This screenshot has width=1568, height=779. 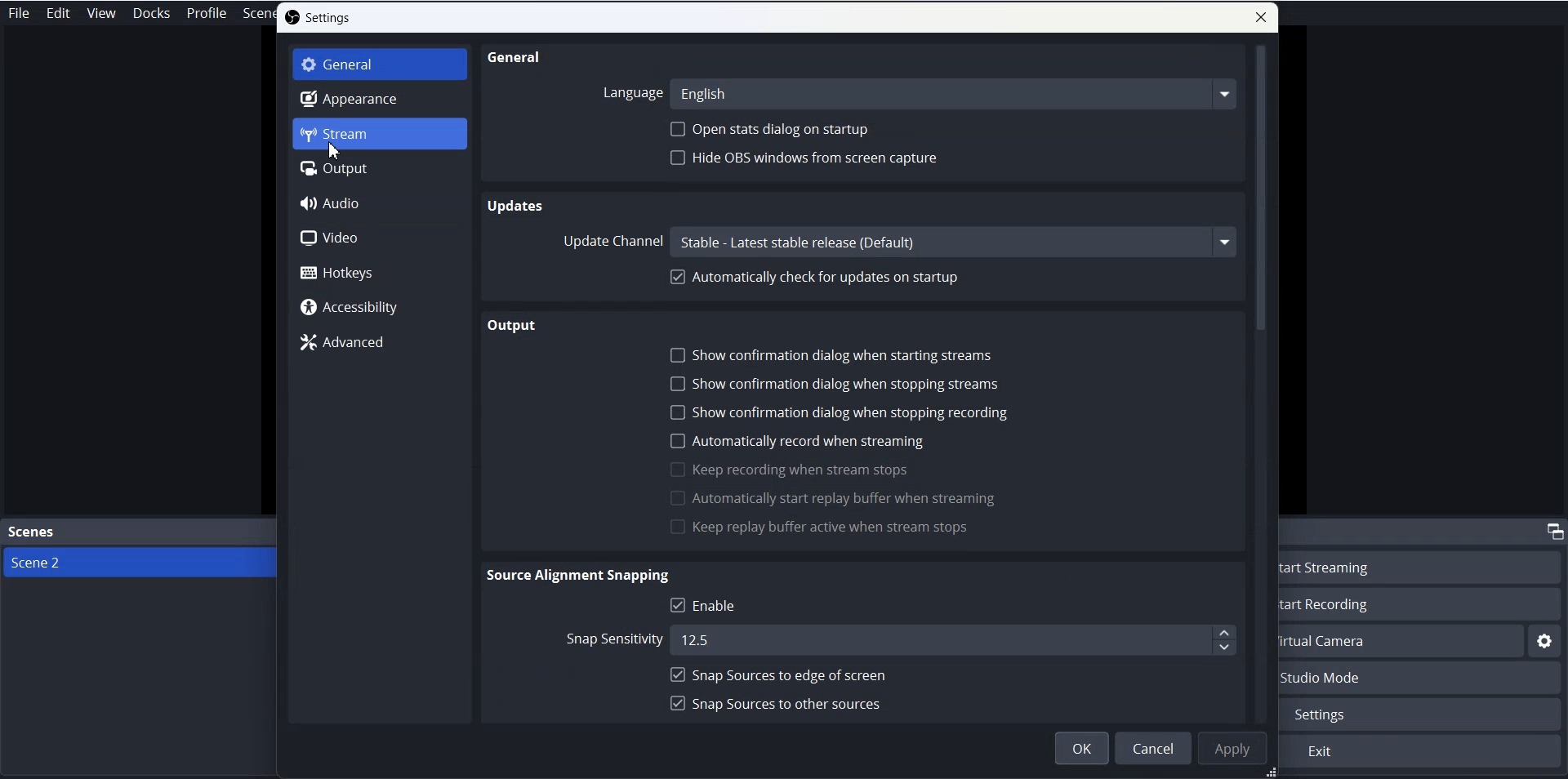 I want to click on Studio Mode, so click(x=1423, y=679).